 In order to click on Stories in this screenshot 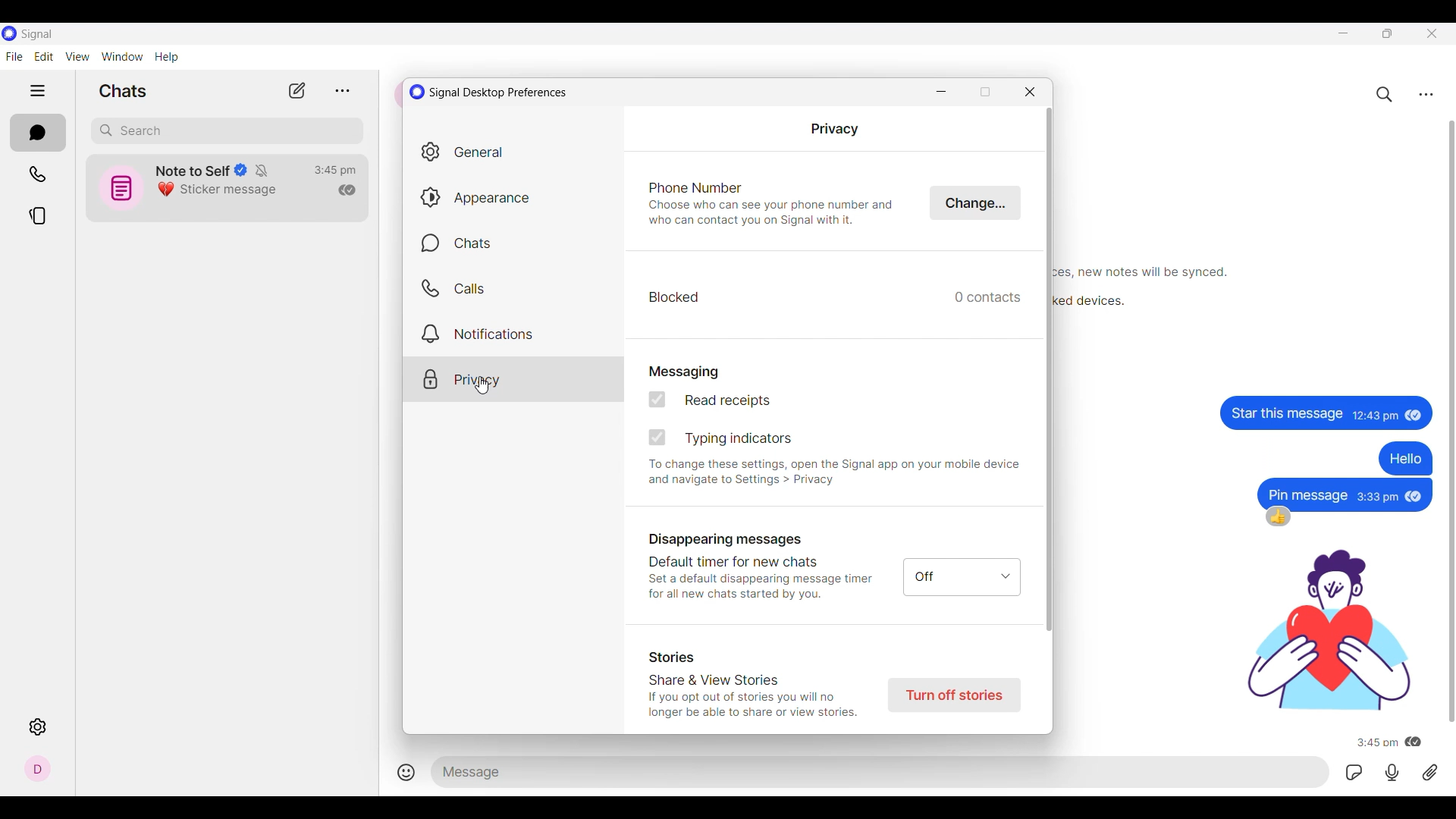, I will do `click(38, 215)`.